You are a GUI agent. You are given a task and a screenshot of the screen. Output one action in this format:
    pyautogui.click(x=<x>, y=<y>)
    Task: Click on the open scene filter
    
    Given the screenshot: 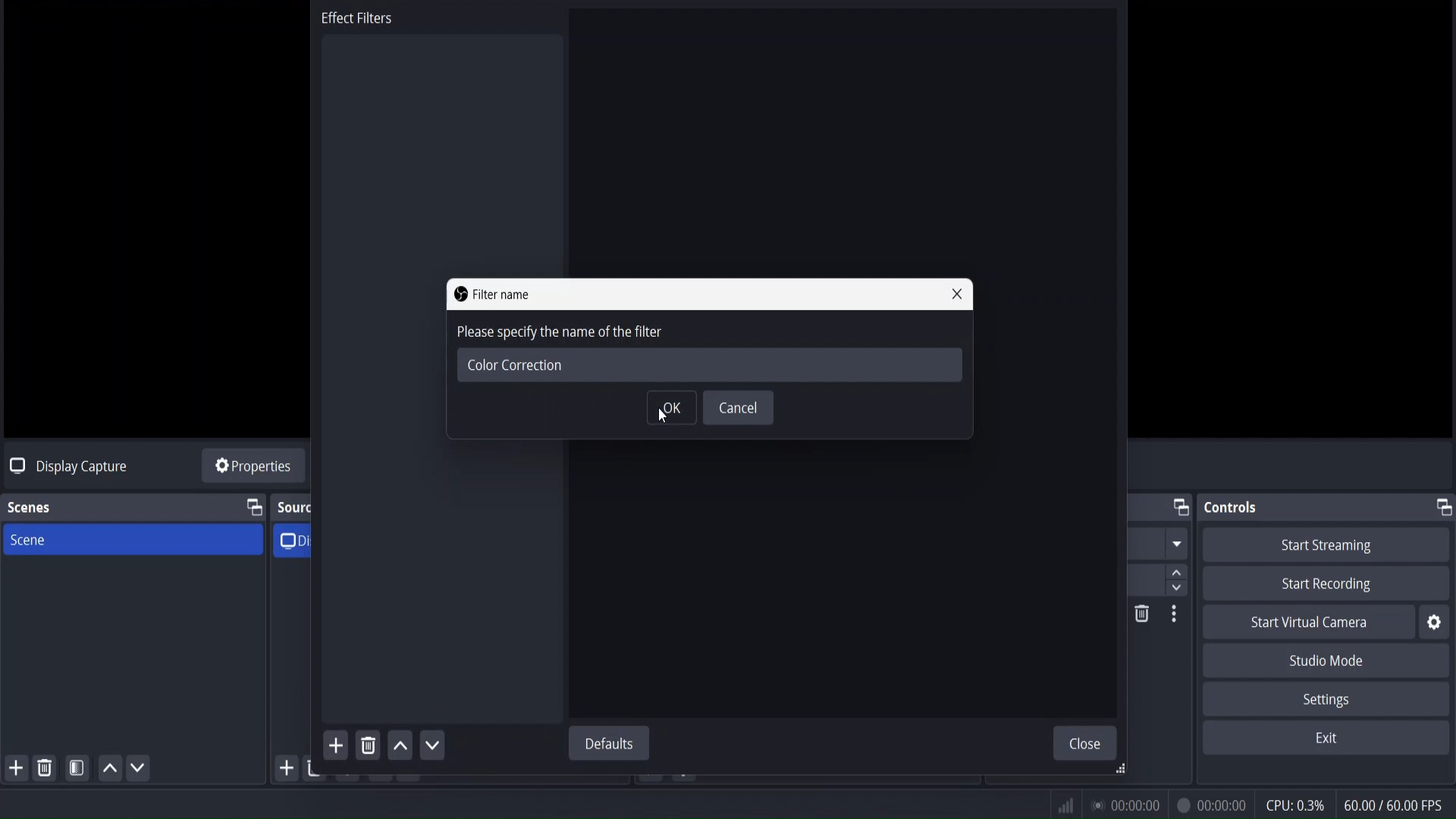 What is the action you would take?
    pyautogui.click(x=78, y=770)
    